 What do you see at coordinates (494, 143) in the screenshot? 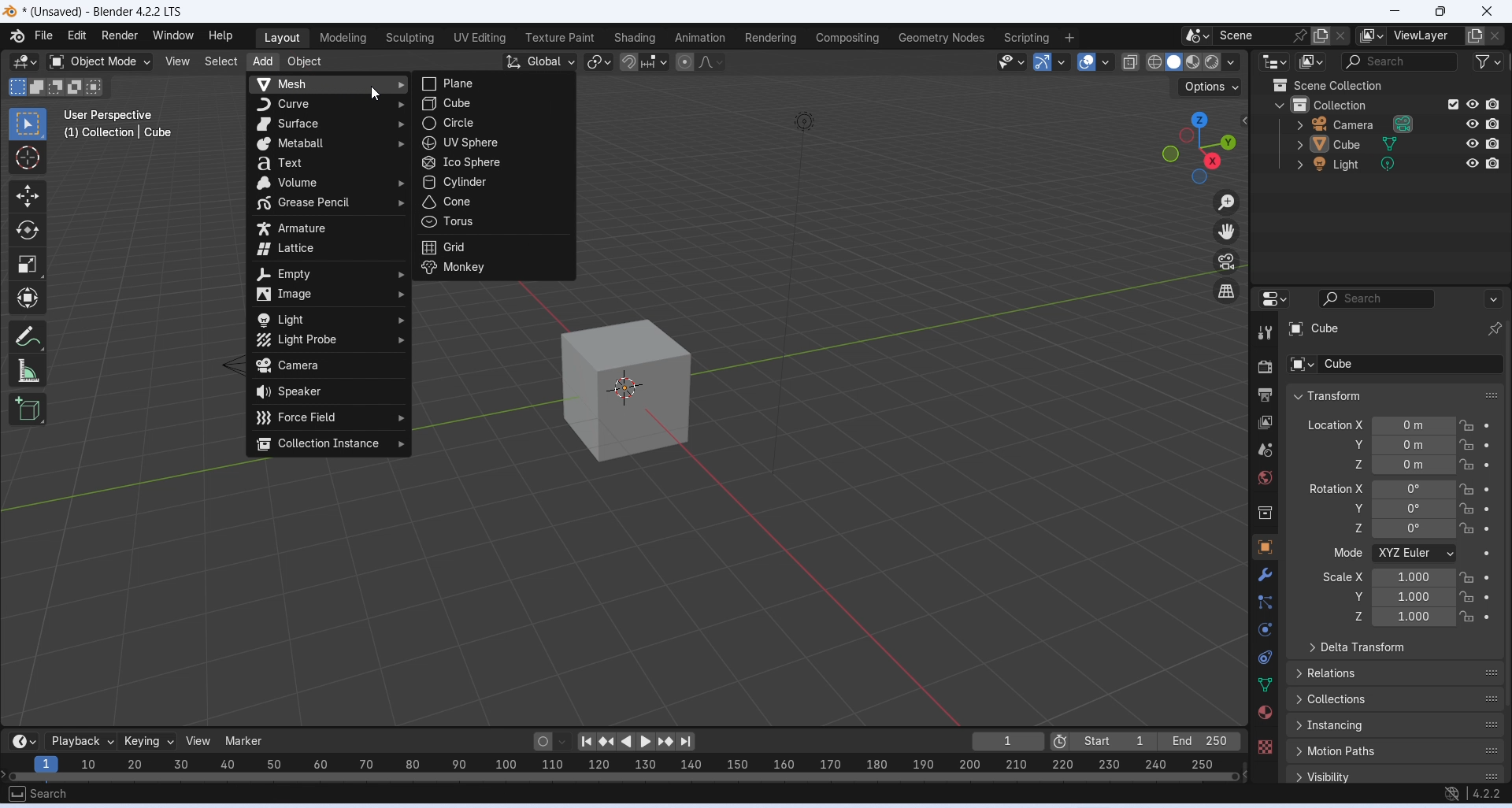
I see `uv sphere` at bounding box center [494, 143].